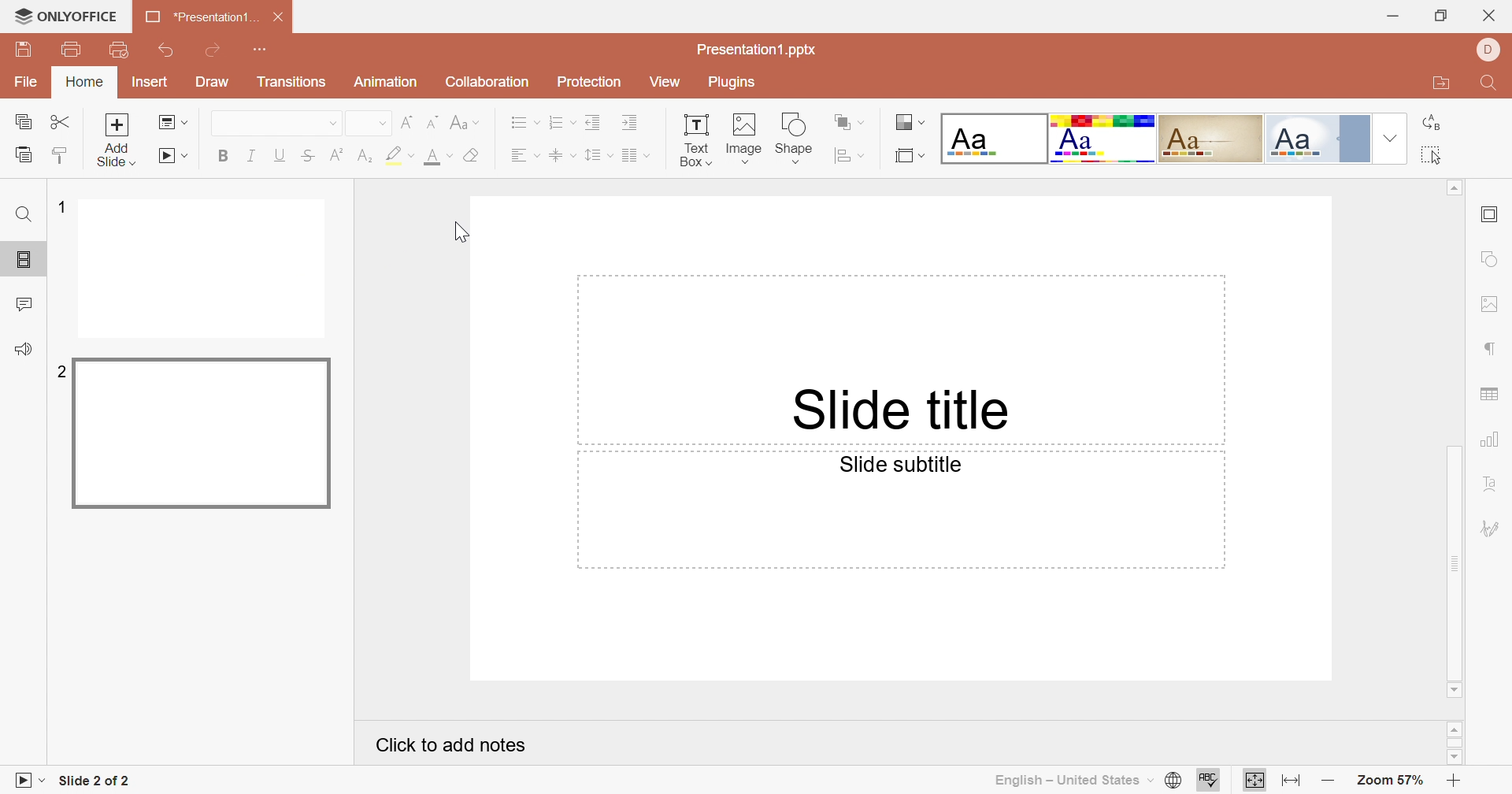  I want to click on Slide 1 preview, so click(205, 268).